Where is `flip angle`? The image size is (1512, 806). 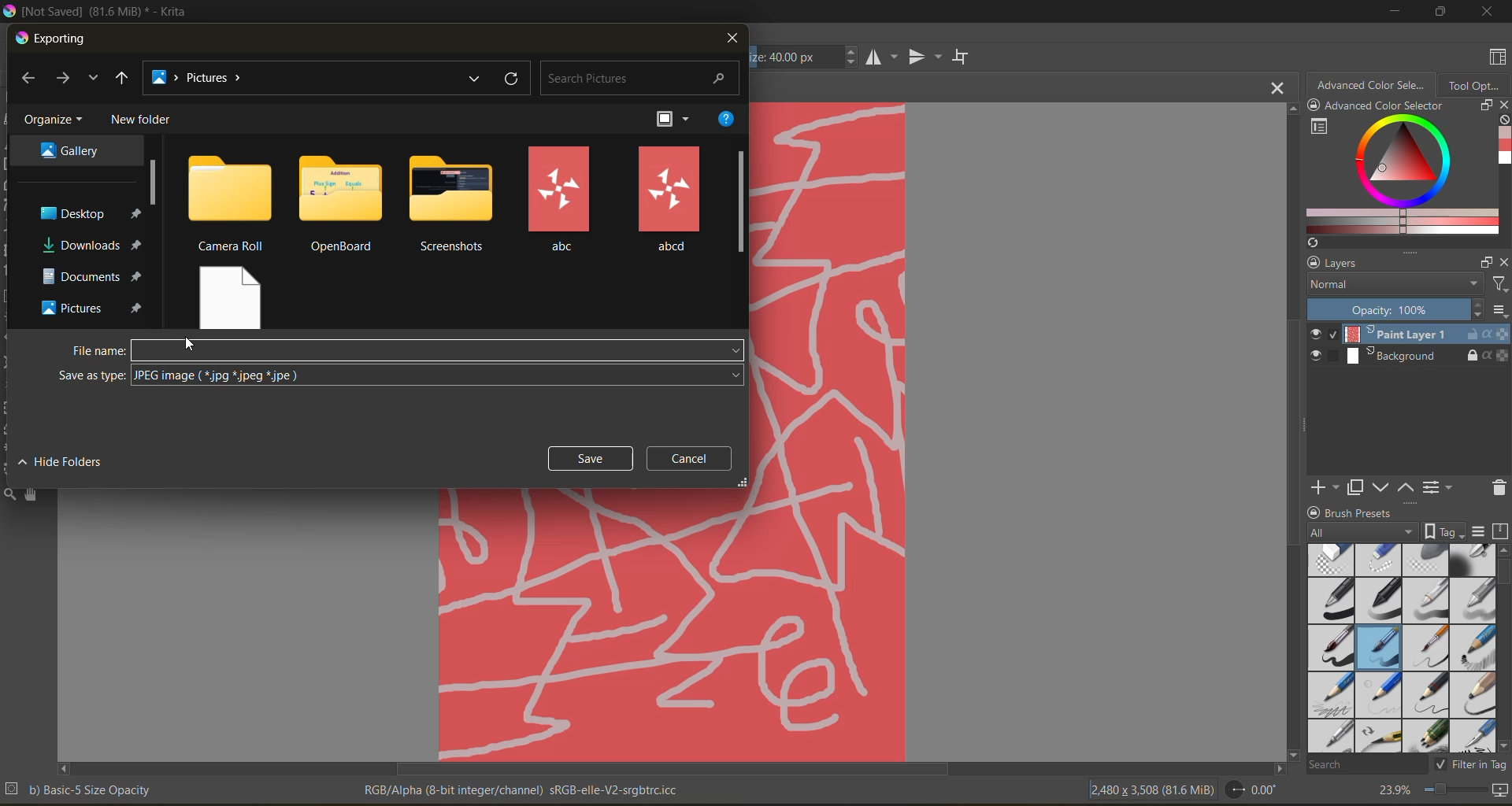
flip angle is located at coordinates (1251, 789).